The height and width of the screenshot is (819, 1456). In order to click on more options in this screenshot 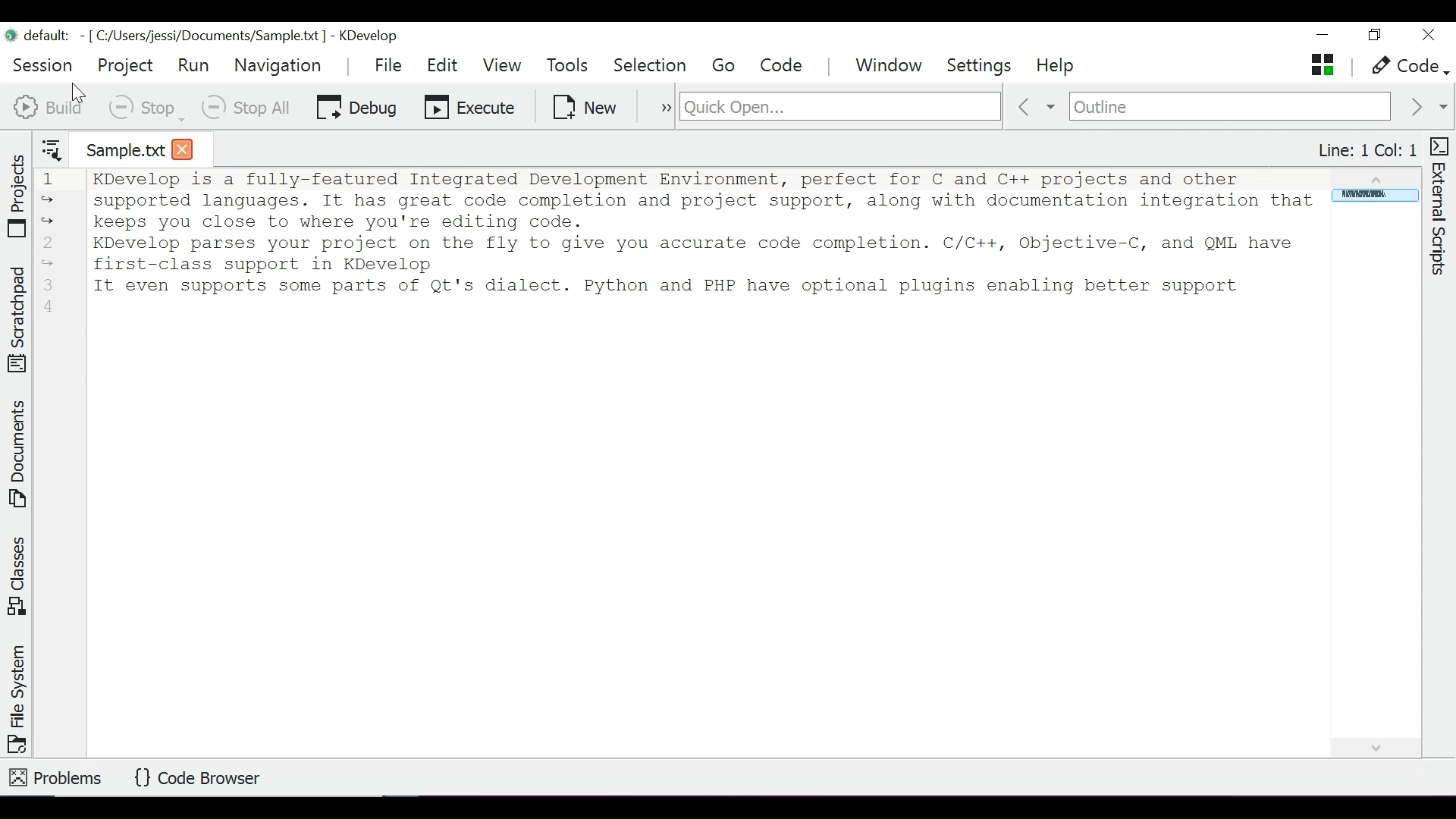, I will do `click(655, 109)`.